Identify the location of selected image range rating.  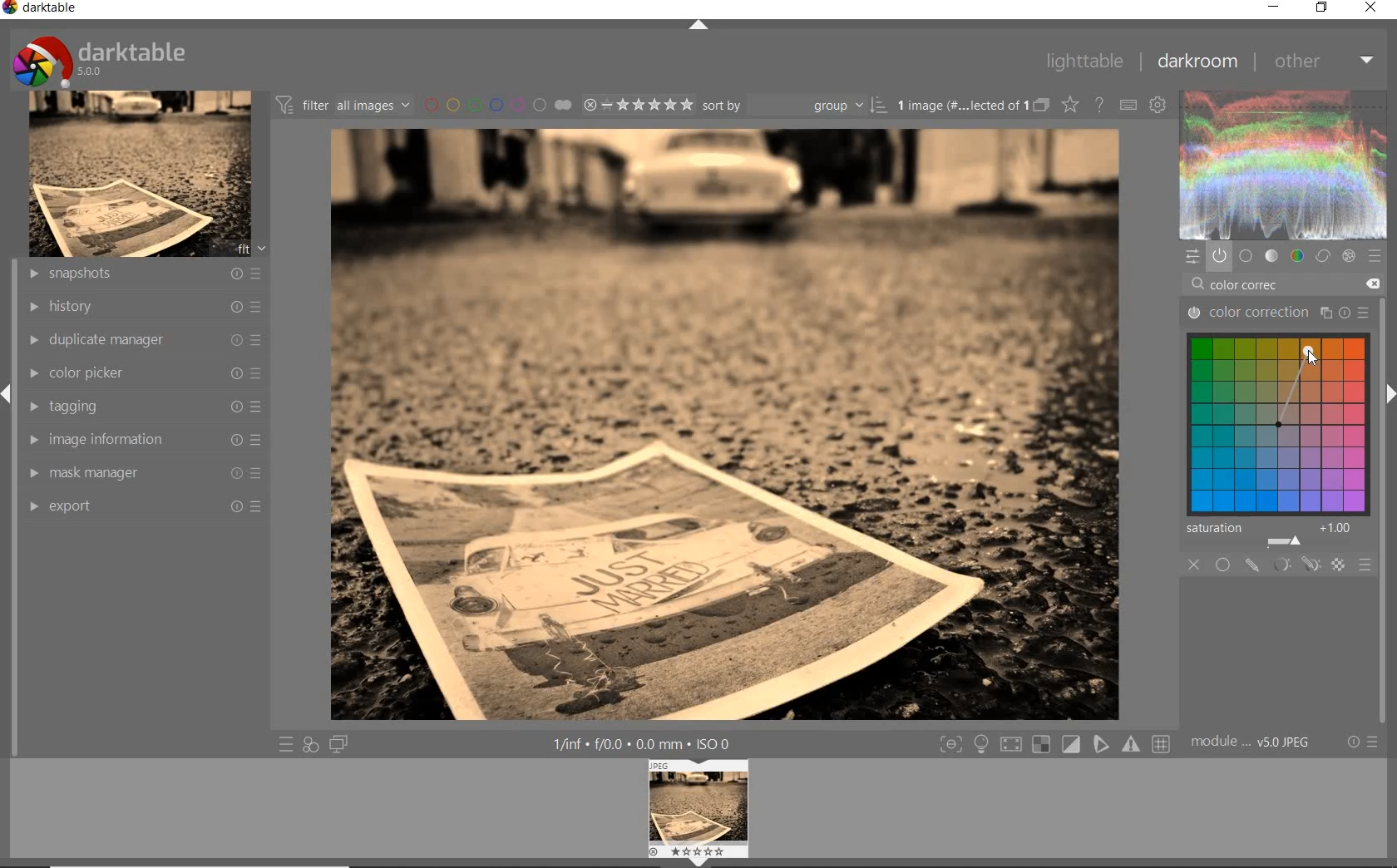
(635, 105).